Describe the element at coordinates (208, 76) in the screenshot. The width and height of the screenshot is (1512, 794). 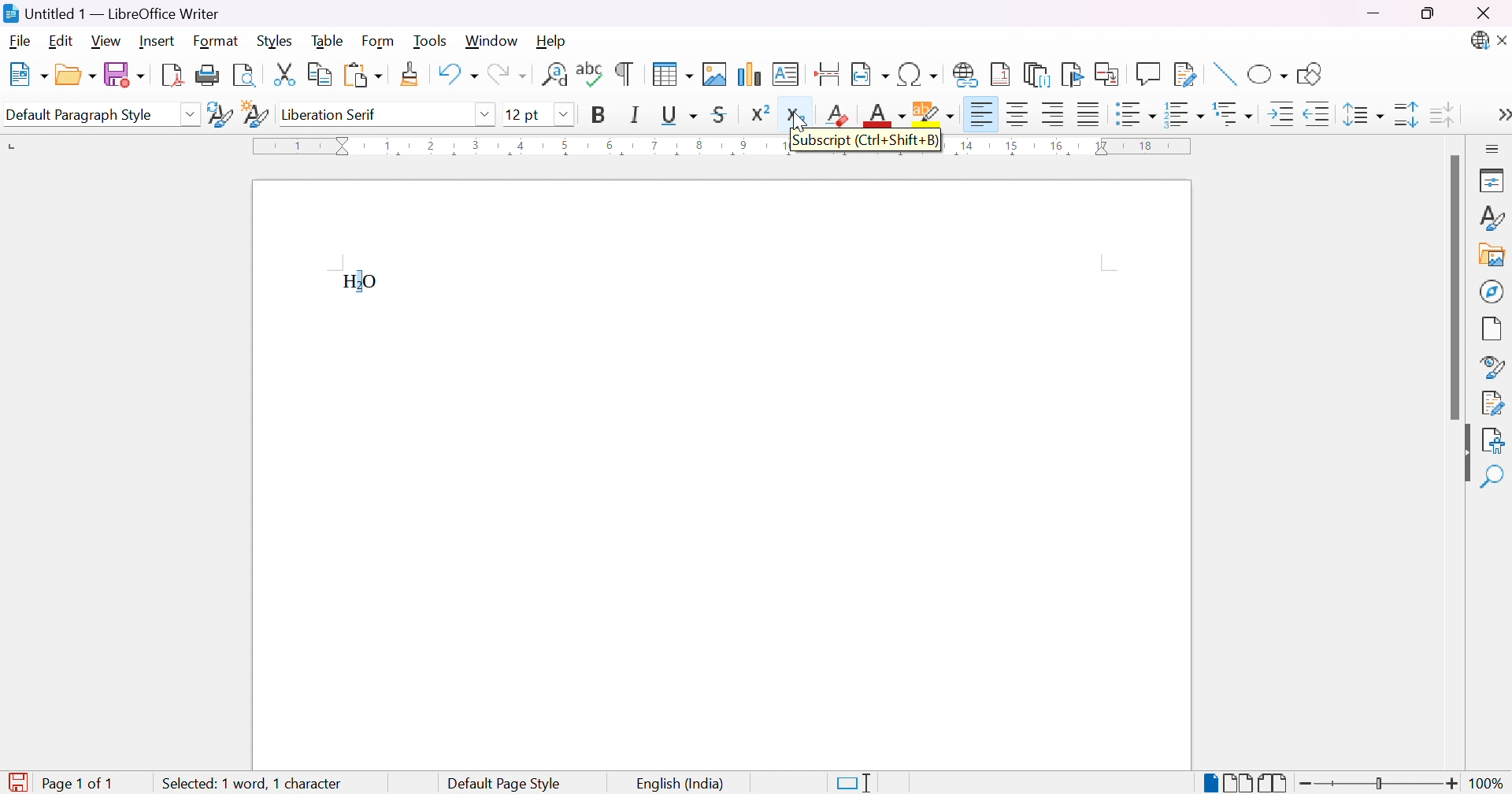
I see `Print` at that location.